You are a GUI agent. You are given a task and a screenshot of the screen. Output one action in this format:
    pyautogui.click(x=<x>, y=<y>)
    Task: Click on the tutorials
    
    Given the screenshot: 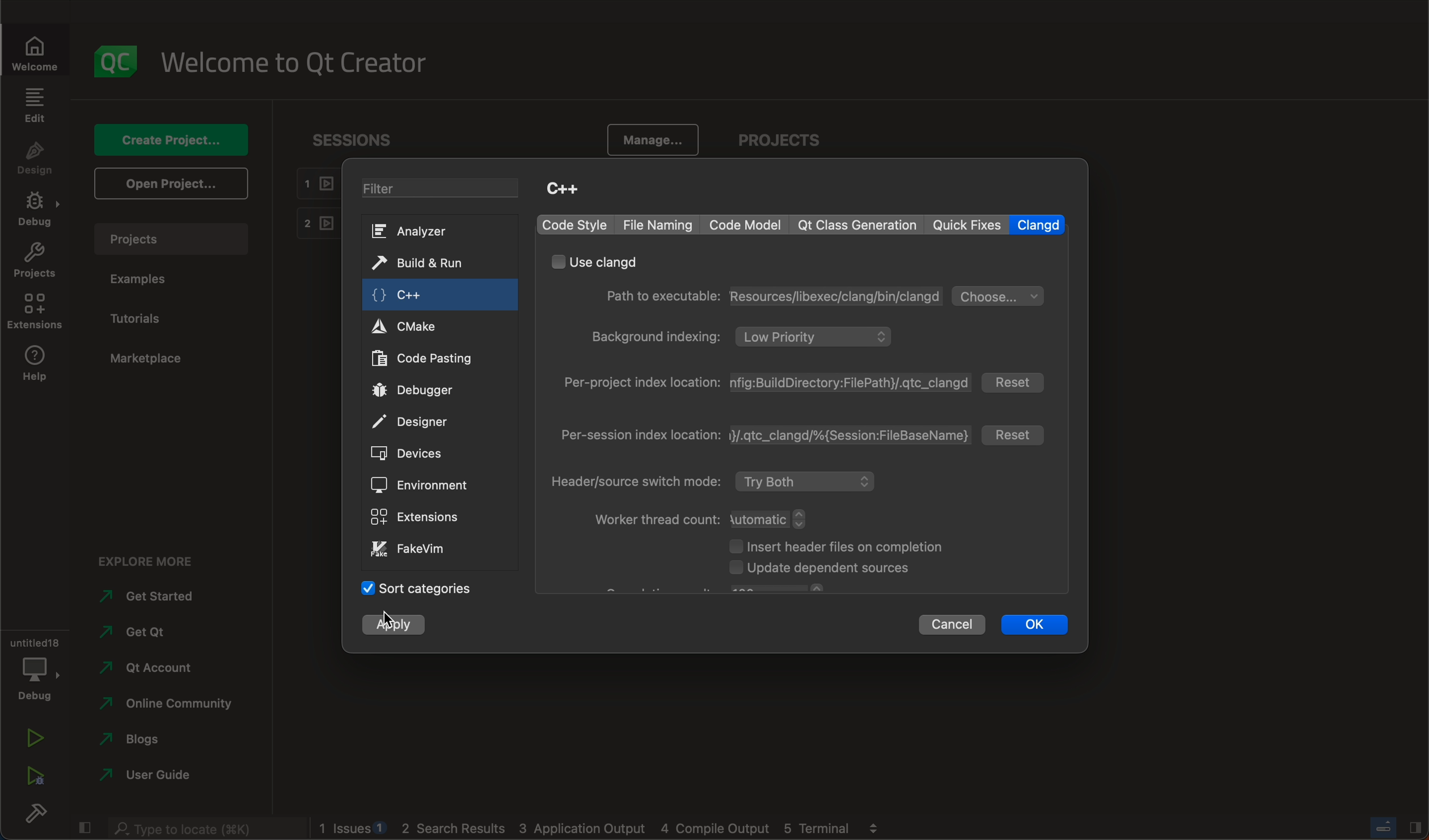 What is the action you would take?
    pyautogui.click(x=155, y=317)
    